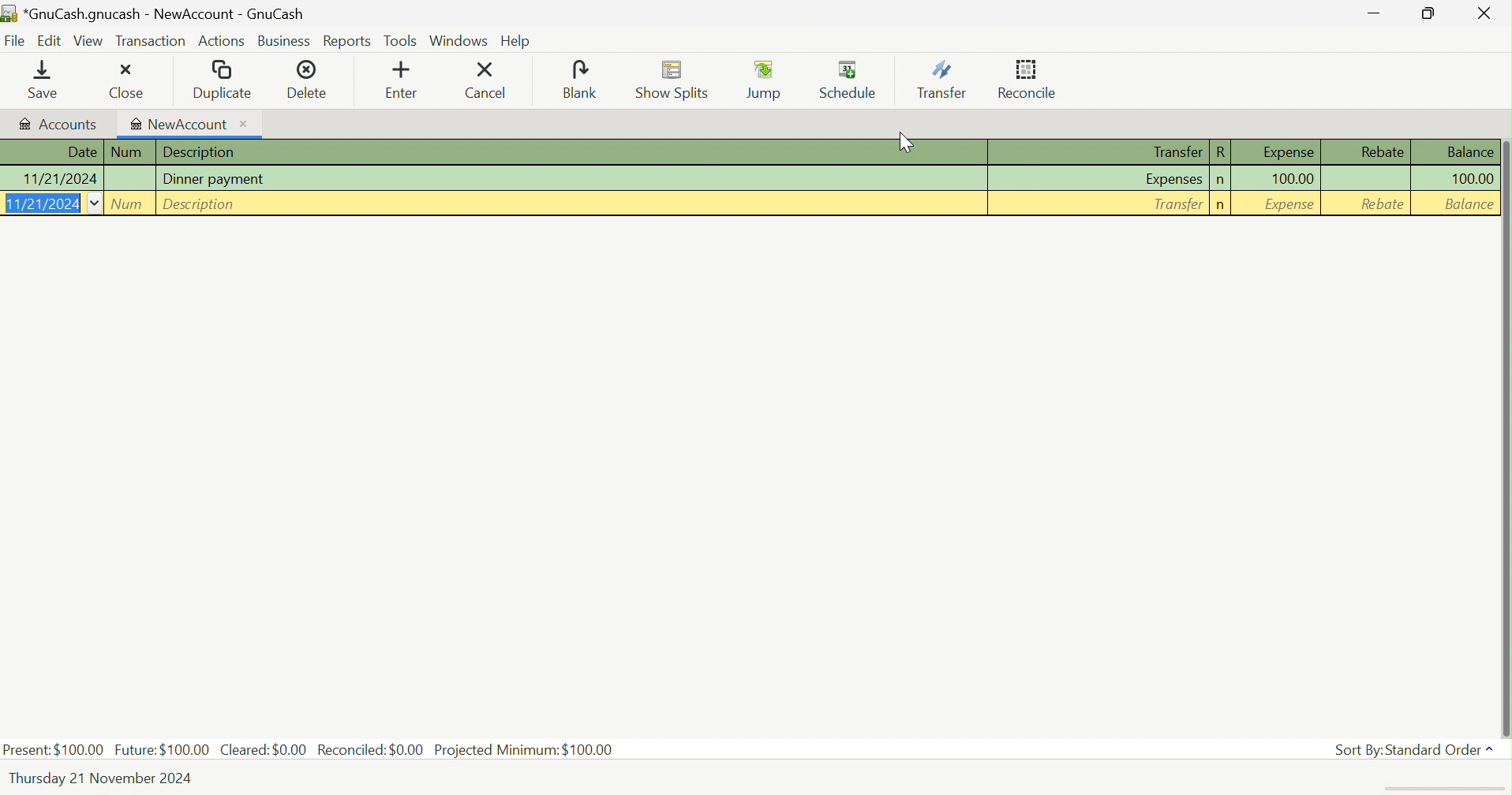 This screenshot has height=795, width=1512. Describe the element at coordinates (1221, 180) in the screenshot. I see `n` at that location.